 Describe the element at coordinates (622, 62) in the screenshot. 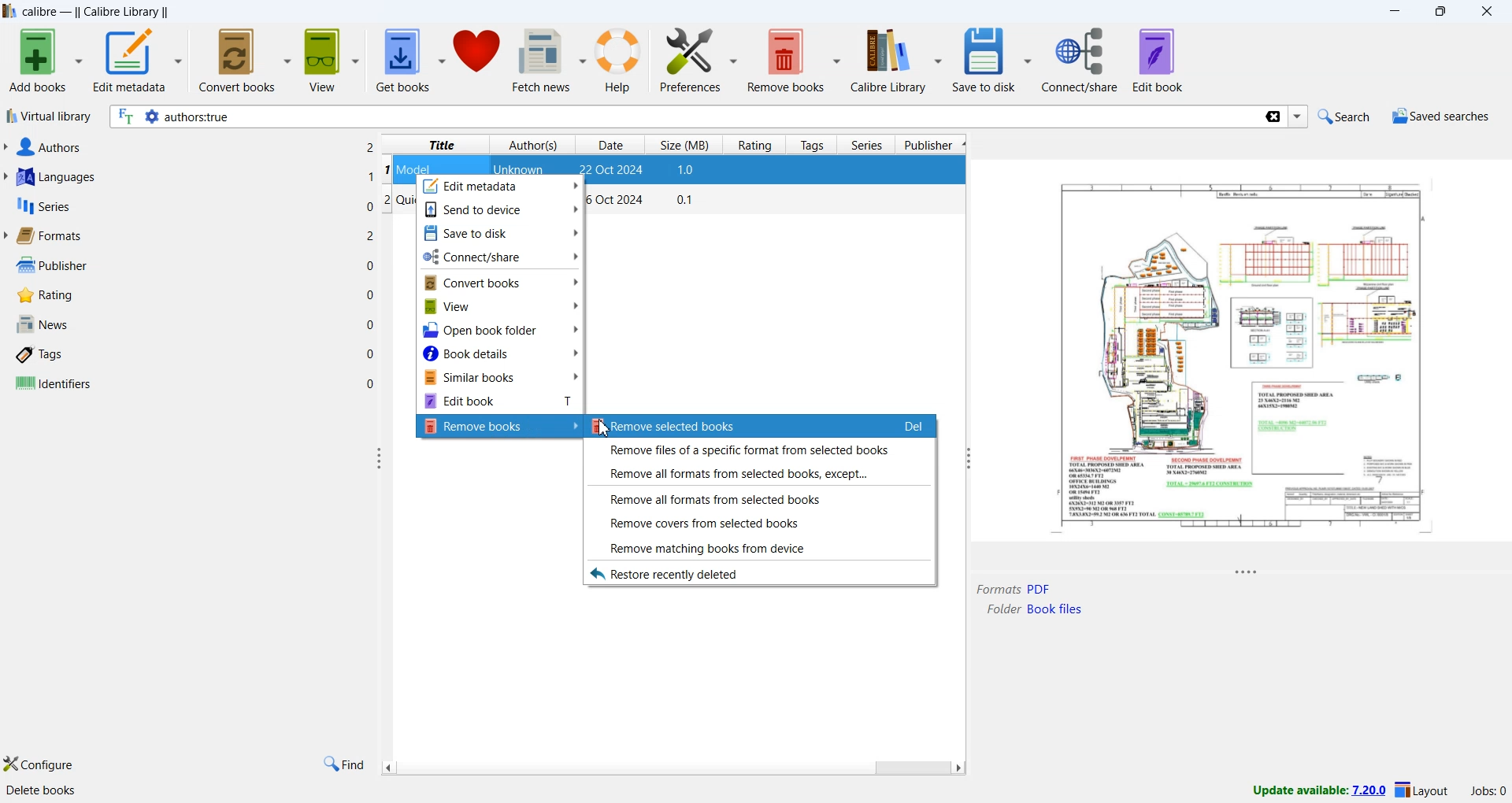

I see `help` at that location.